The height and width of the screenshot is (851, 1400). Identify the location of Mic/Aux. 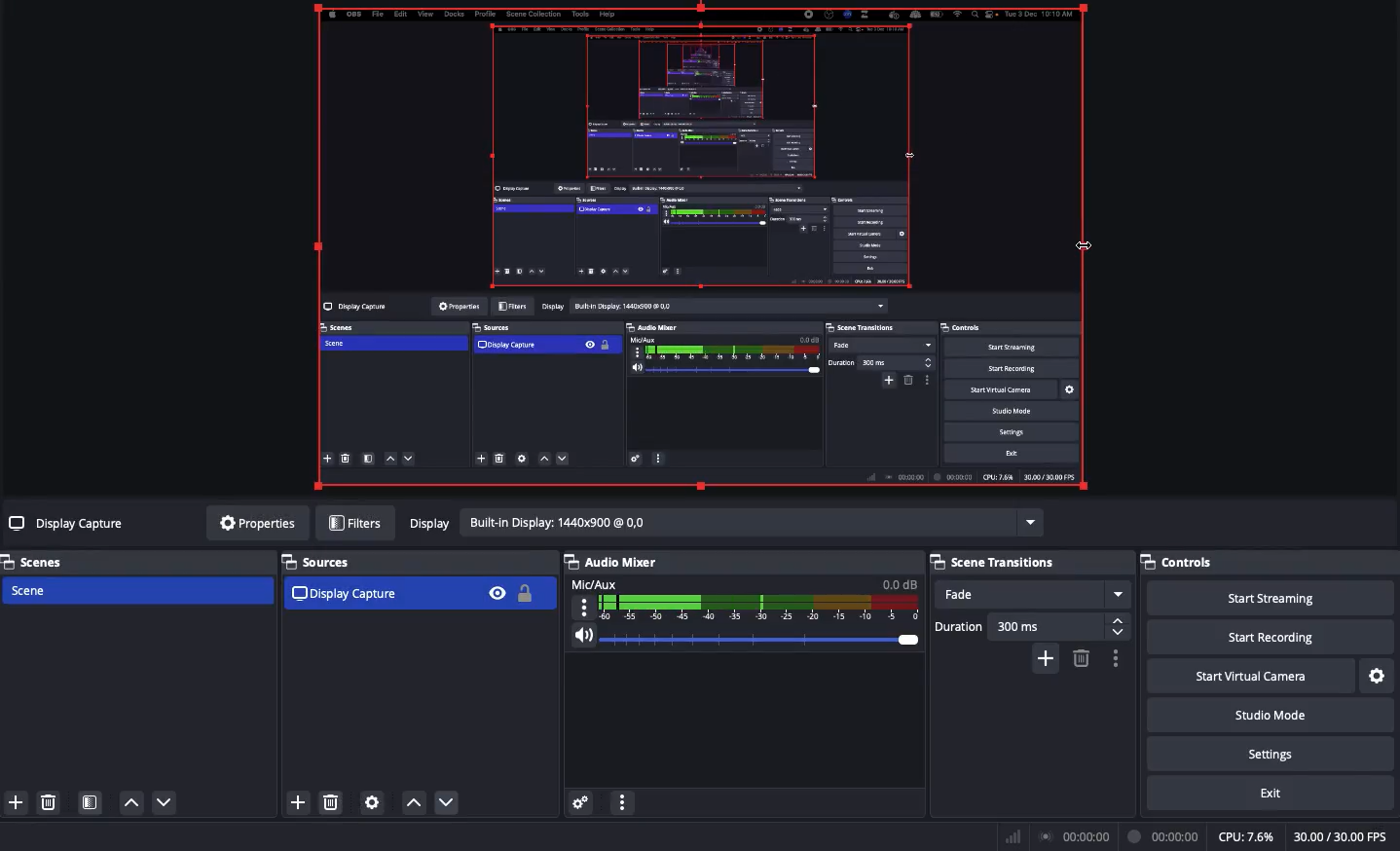
(742, 598).